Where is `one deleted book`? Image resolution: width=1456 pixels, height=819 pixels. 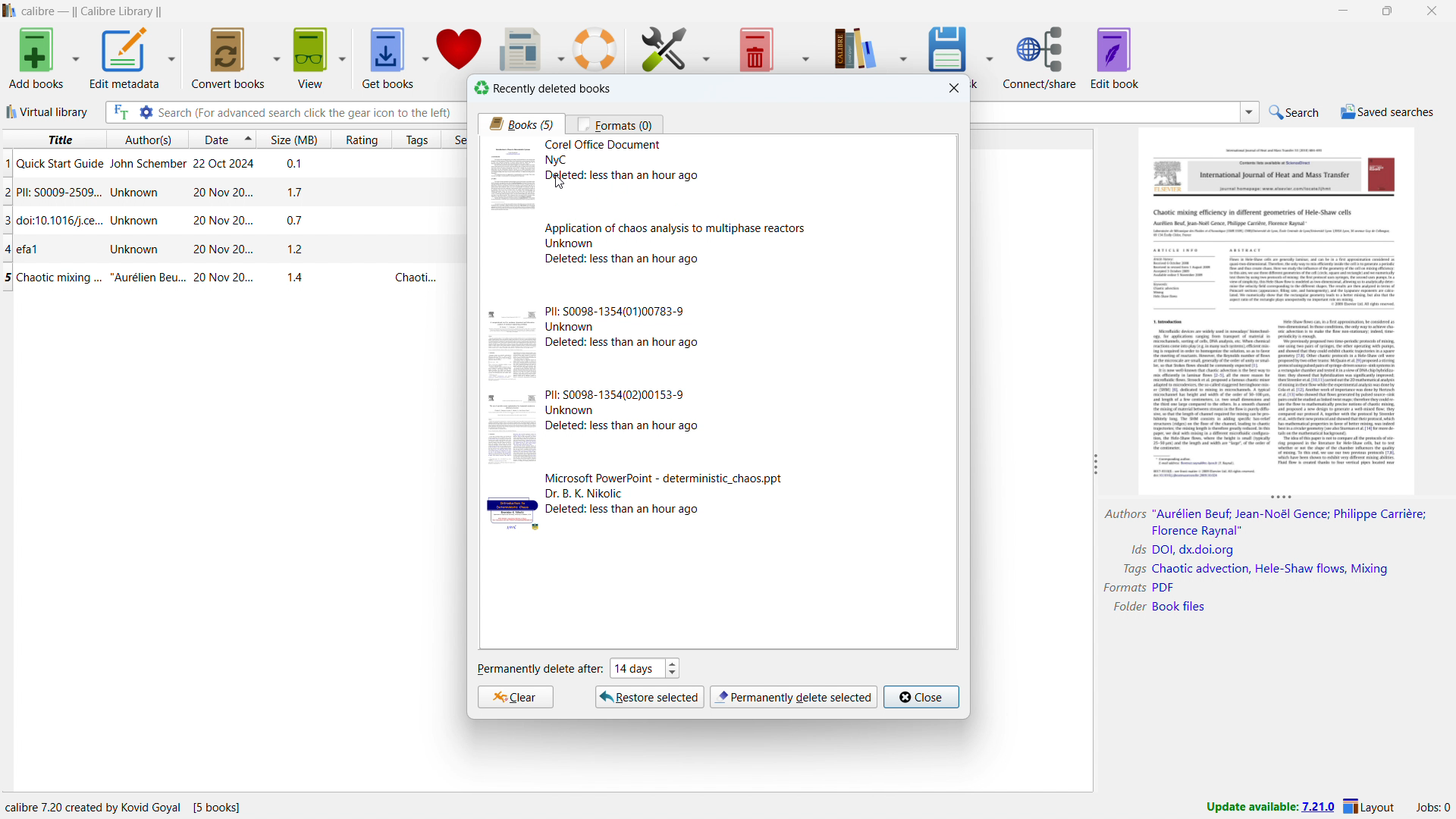 one deleted book is located at coordinates (720, 342).